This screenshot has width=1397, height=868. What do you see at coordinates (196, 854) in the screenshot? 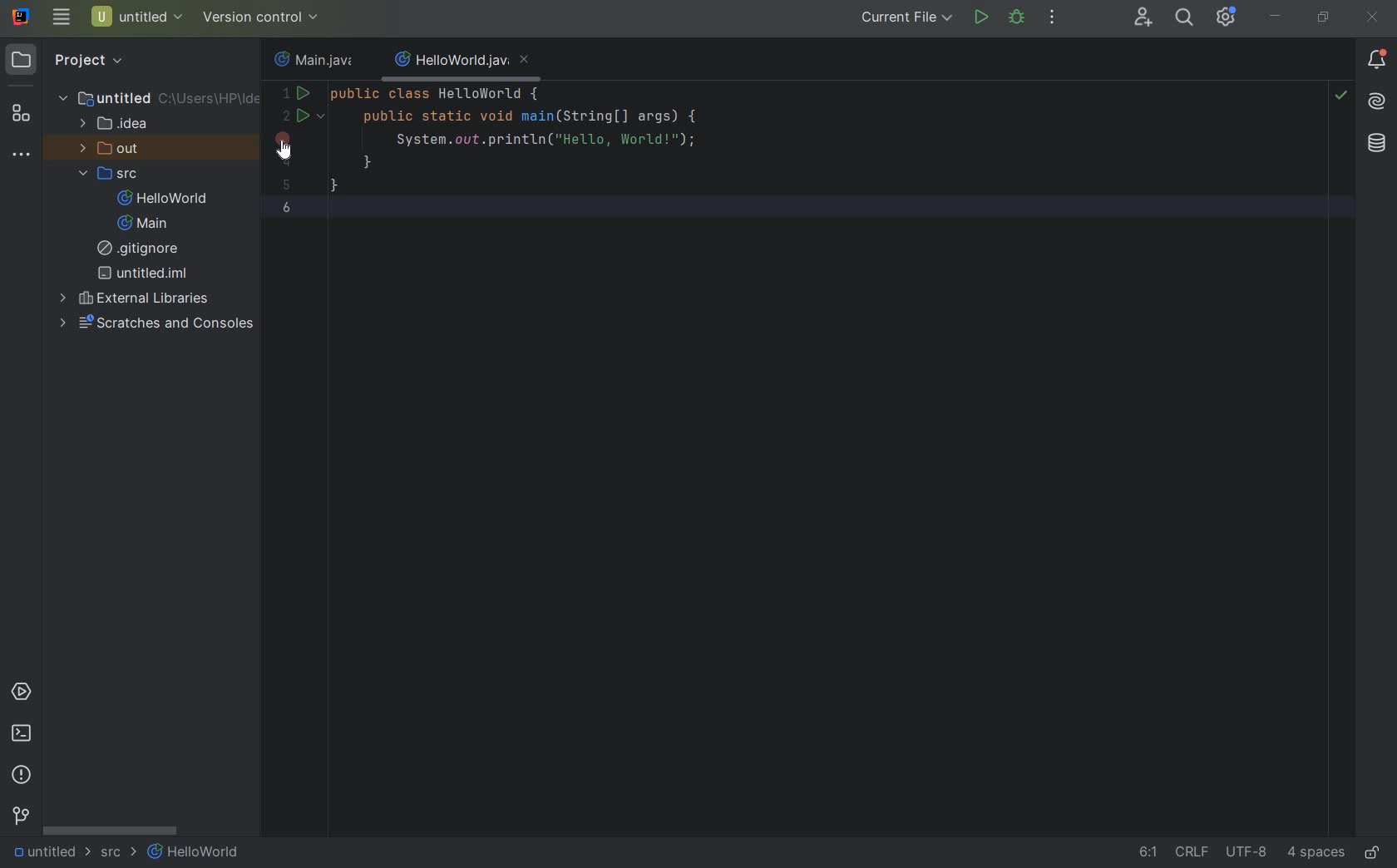
I see `HelloWorld` at bounding box center [196, 854].